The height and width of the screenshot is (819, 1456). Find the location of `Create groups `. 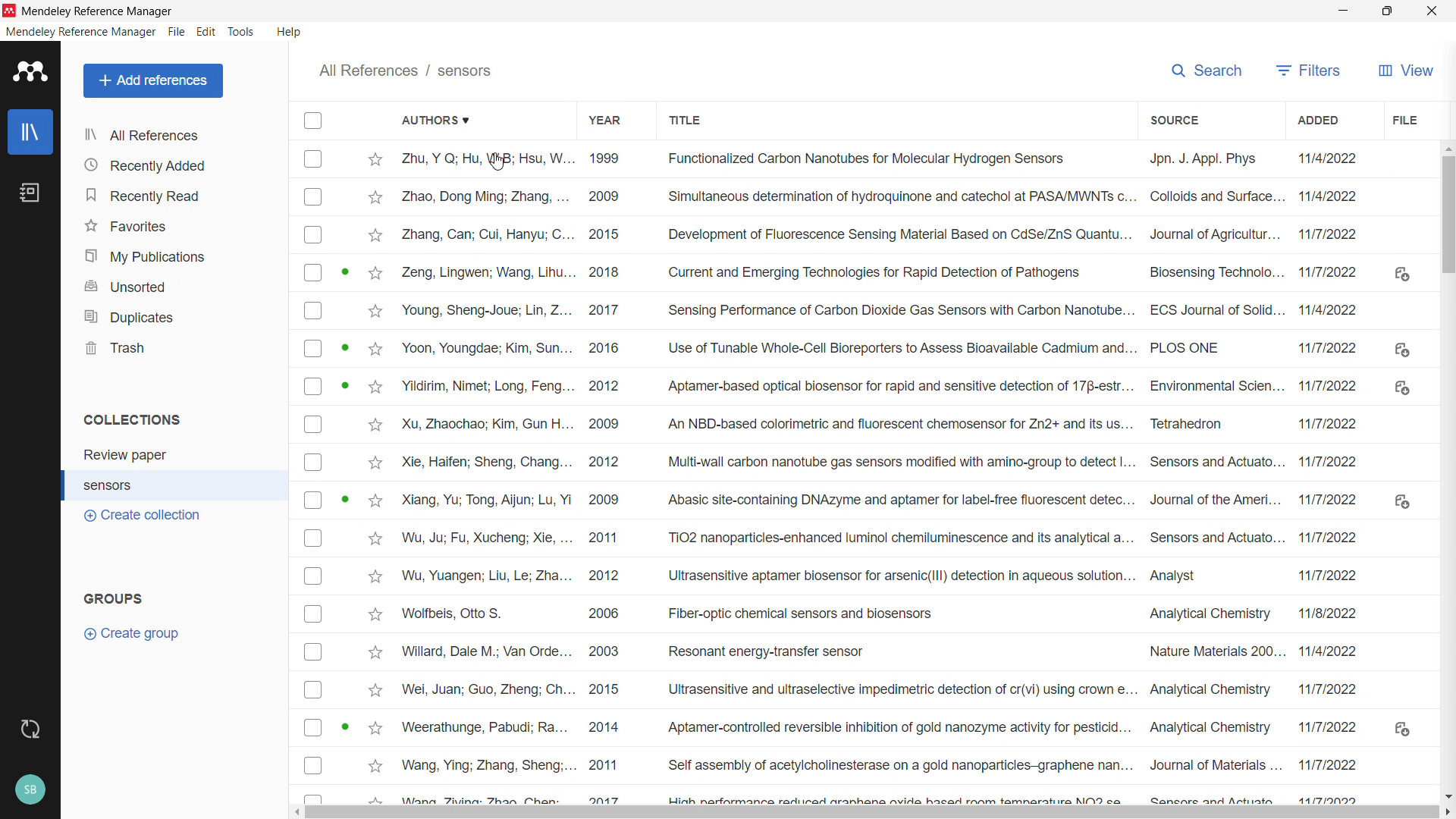

Create groups  is located at coordinates (138, 633).